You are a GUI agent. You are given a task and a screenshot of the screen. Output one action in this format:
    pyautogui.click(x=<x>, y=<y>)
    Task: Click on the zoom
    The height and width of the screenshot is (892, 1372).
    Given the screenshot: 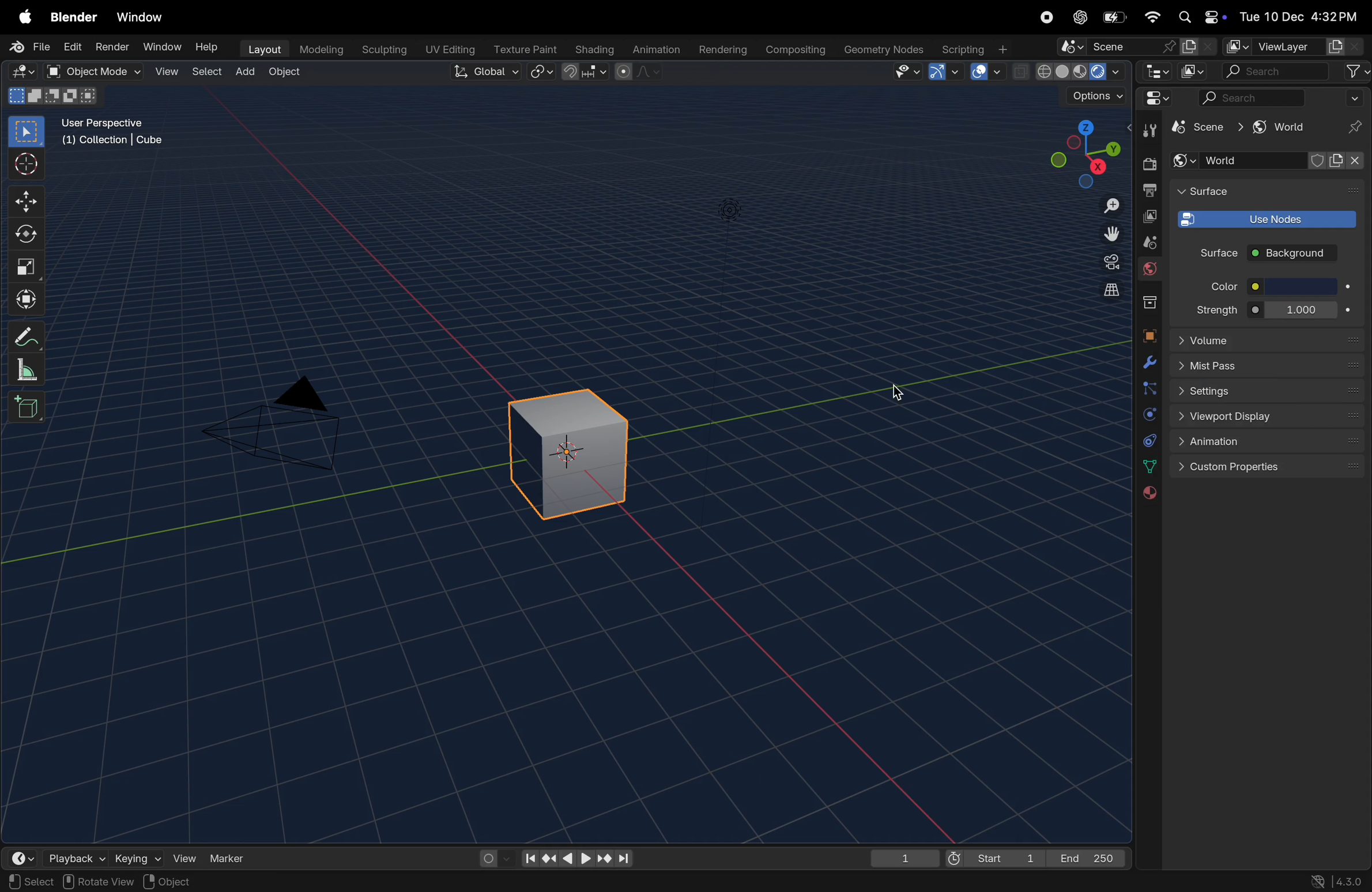 What is the action you would take?
    pyautogui.click(x=1105, y=205)
    